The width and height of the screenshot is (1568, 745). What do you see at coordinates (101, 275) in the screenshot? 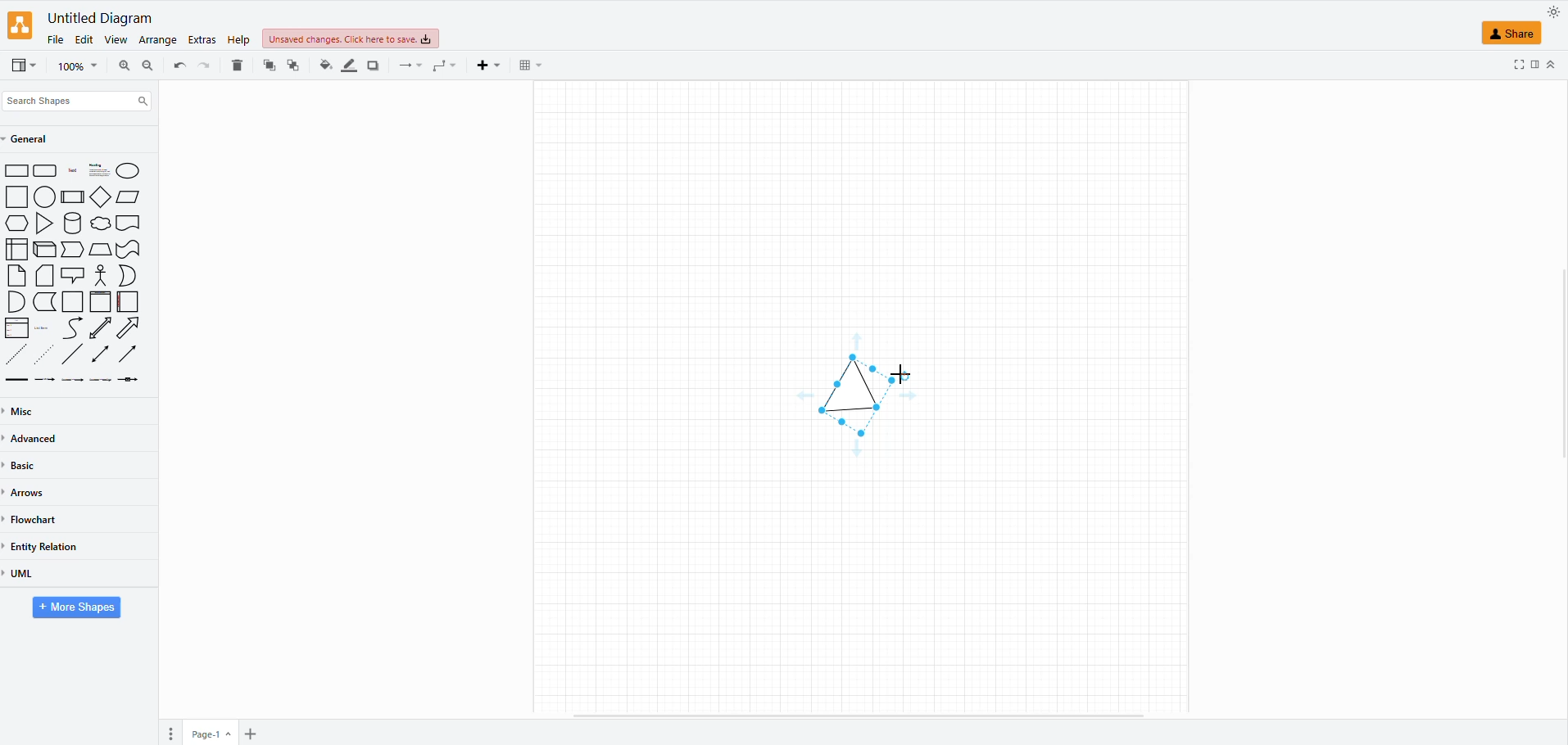
I see `Person` at bounding box center [101, 275].